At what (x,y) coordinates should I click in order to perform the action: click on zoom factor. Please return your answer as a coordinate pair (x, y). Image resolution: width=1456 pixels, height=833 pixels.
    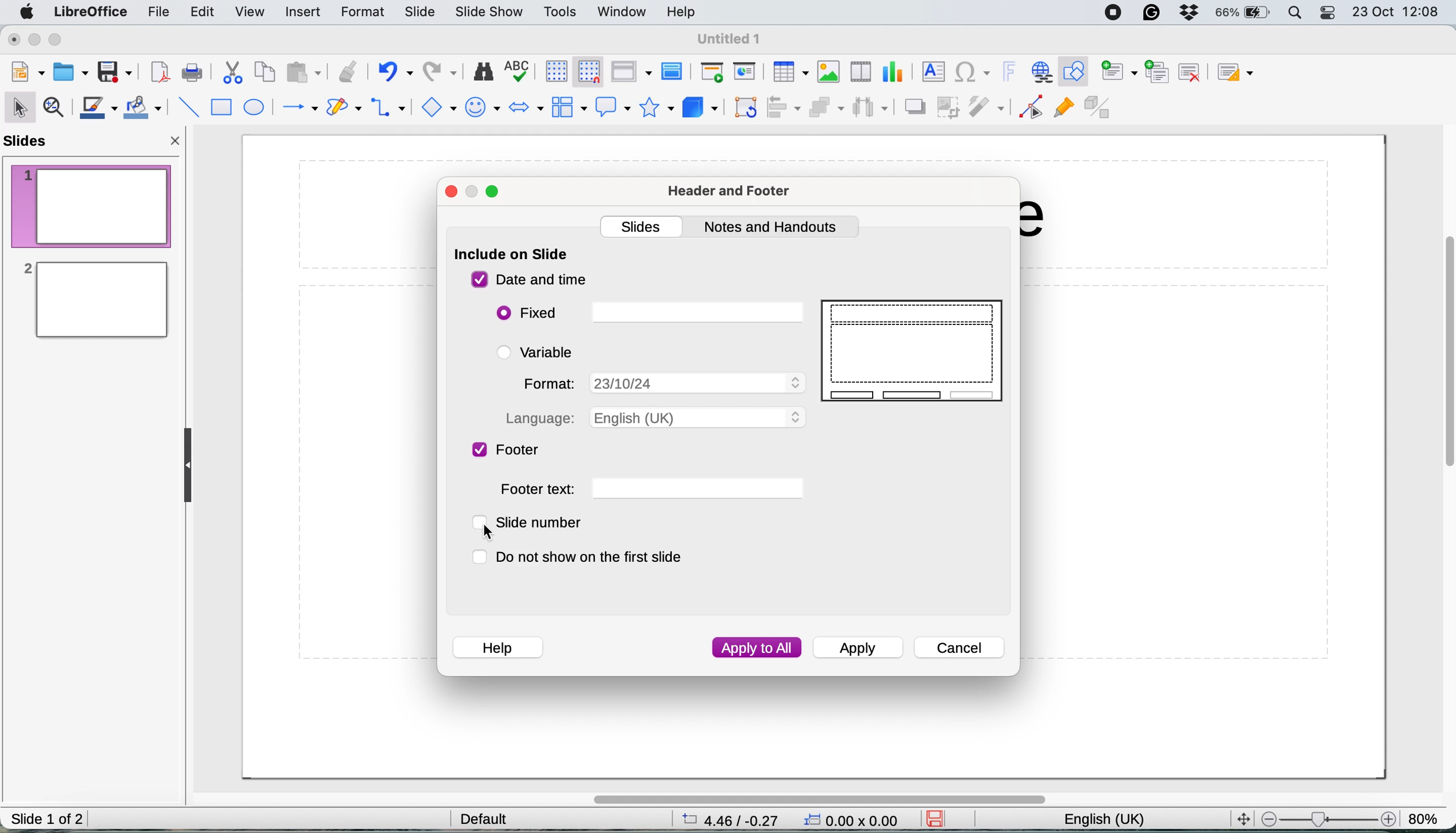
    Looking at the image, I should click on (1327, 819).